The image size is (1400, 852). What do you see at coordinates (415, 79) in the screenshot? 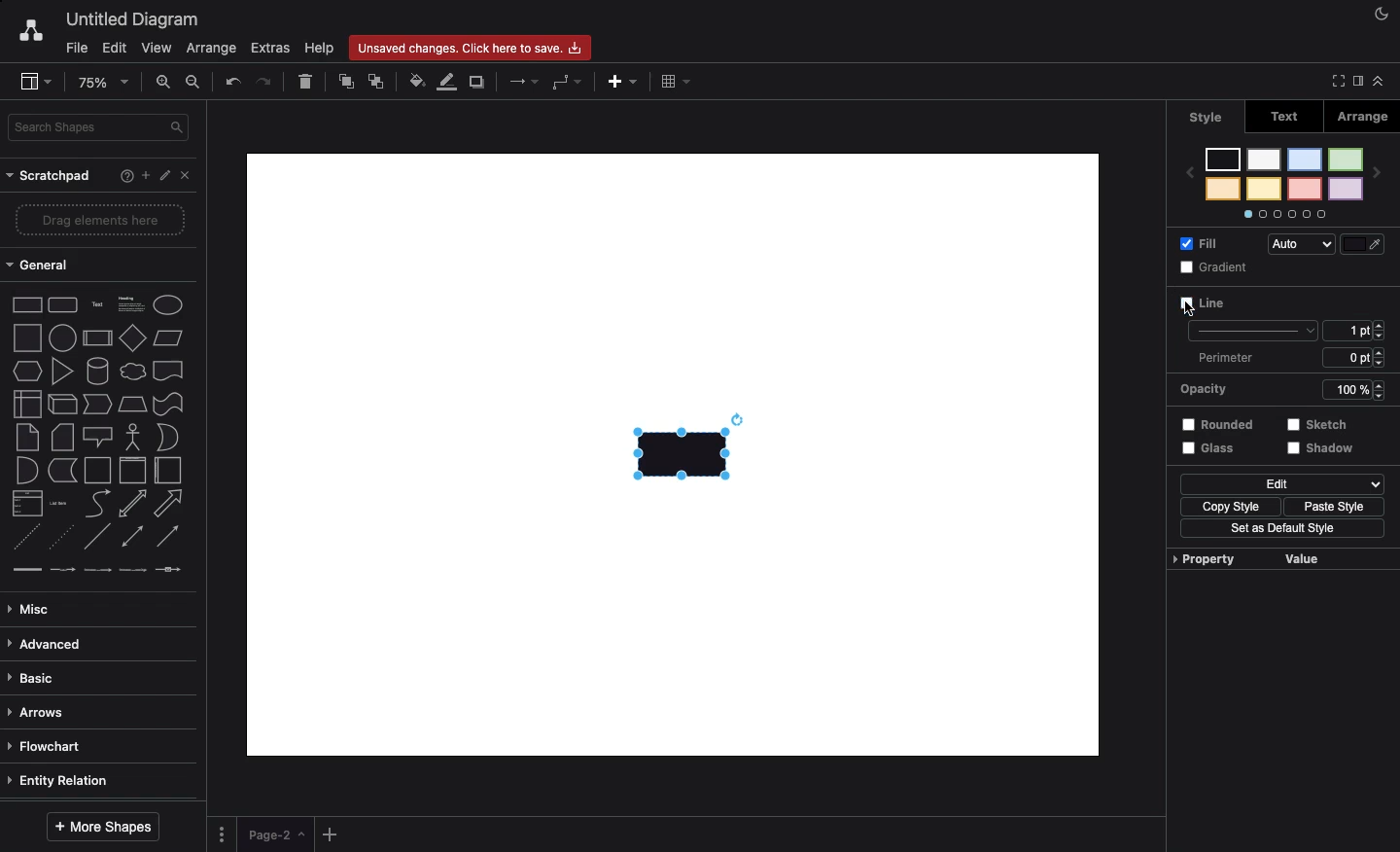
I see `Fill color` at bounding box center [415, 79].